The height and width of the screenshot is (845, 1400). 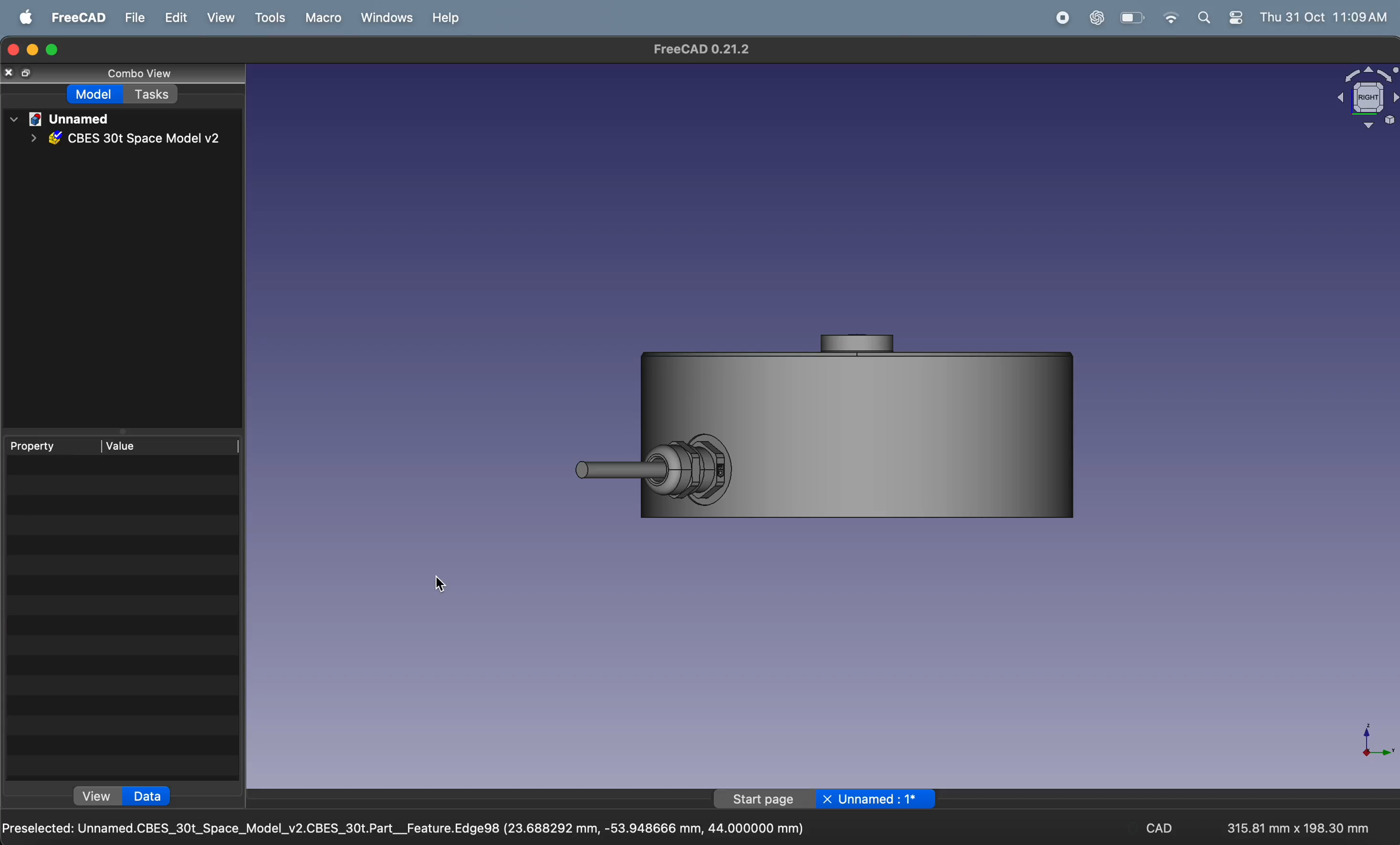 What do you see at coordinates (80, 19) in the screenshot?
I see `freecad` at bounding box center [80, 19].